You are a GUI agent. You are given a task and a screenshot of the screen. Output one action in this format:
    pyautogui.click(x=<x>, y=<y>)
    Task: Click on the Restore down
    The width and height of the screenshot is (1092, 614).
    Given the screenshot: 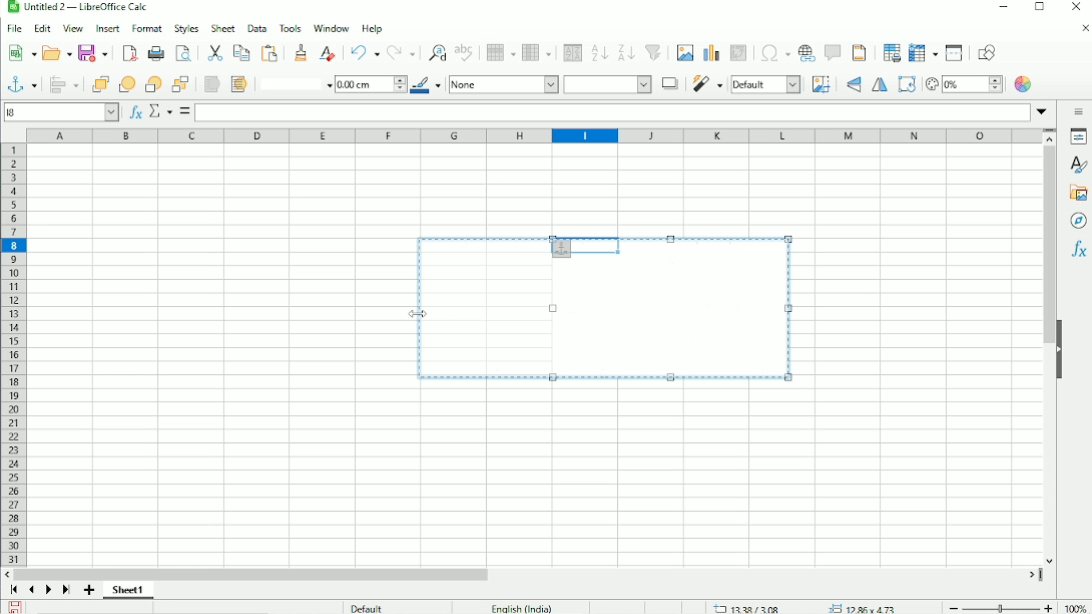 What is the action you would take?
    pyautogui.click(x=1039, y=10)
    